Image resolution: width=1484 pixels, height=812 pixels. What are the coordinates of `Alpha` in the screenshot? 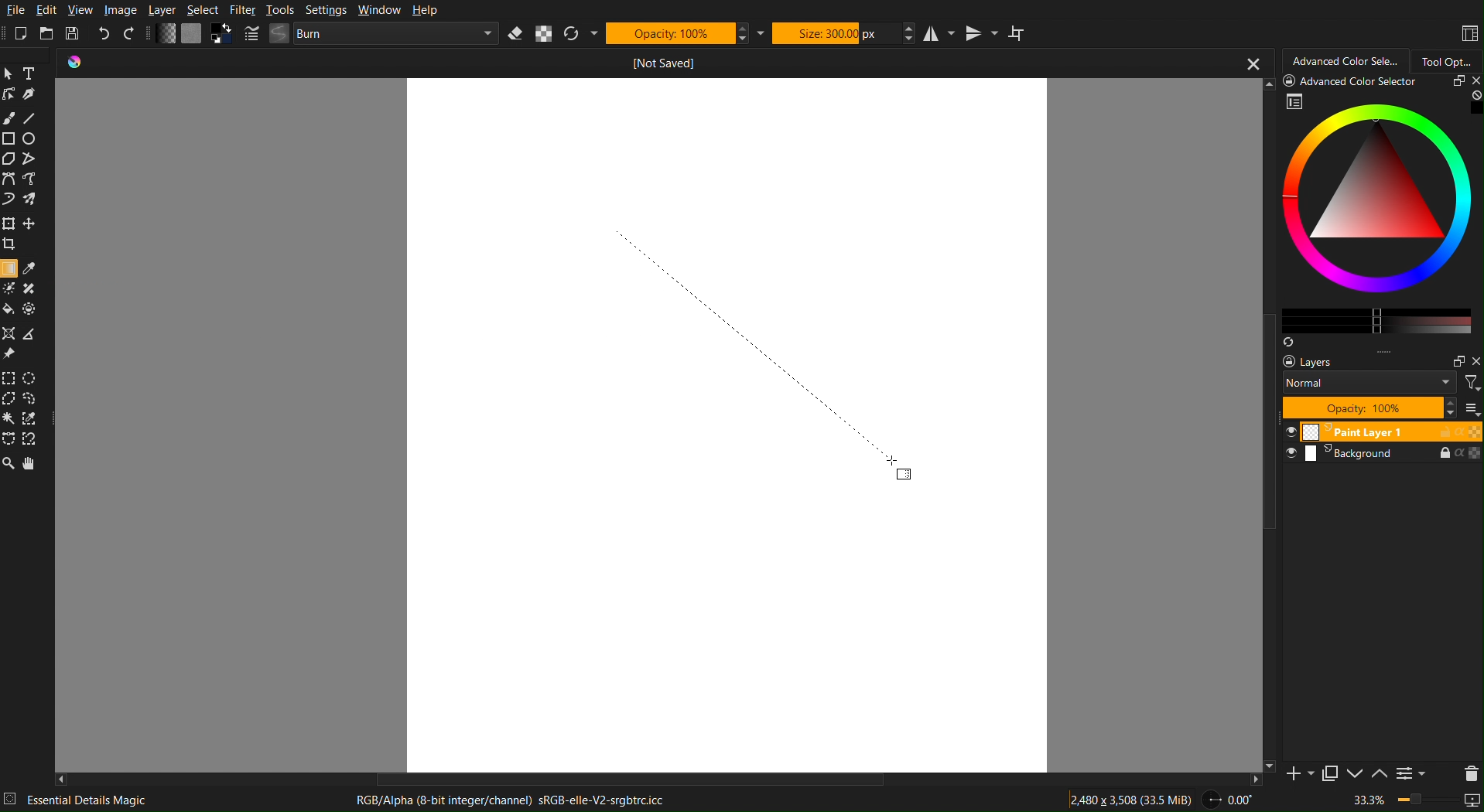 It's located at (544, 33).